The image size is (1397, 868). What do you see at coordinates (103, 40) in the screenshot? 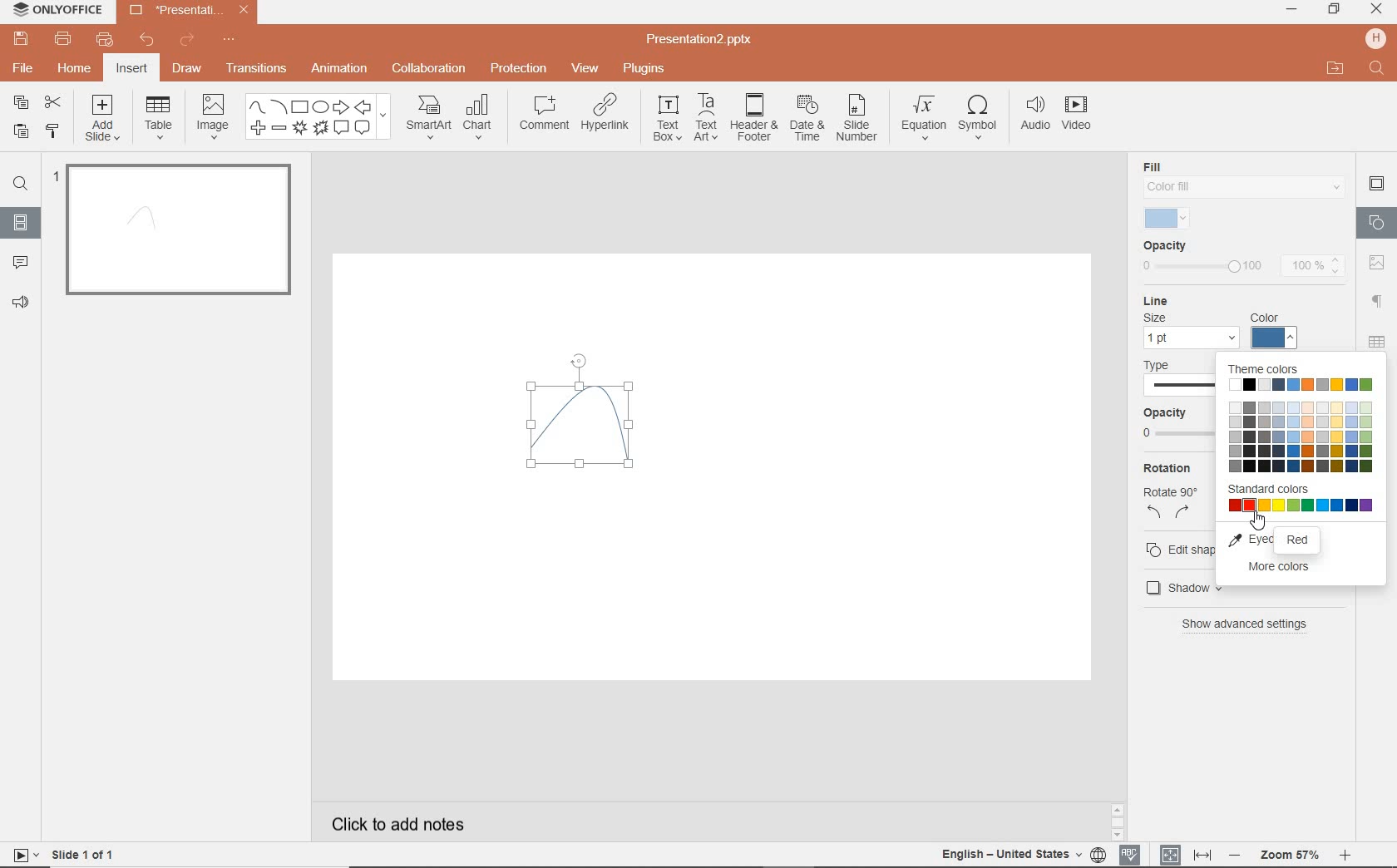
I see `QUICK PRINT` at bounding box center [103, 40].